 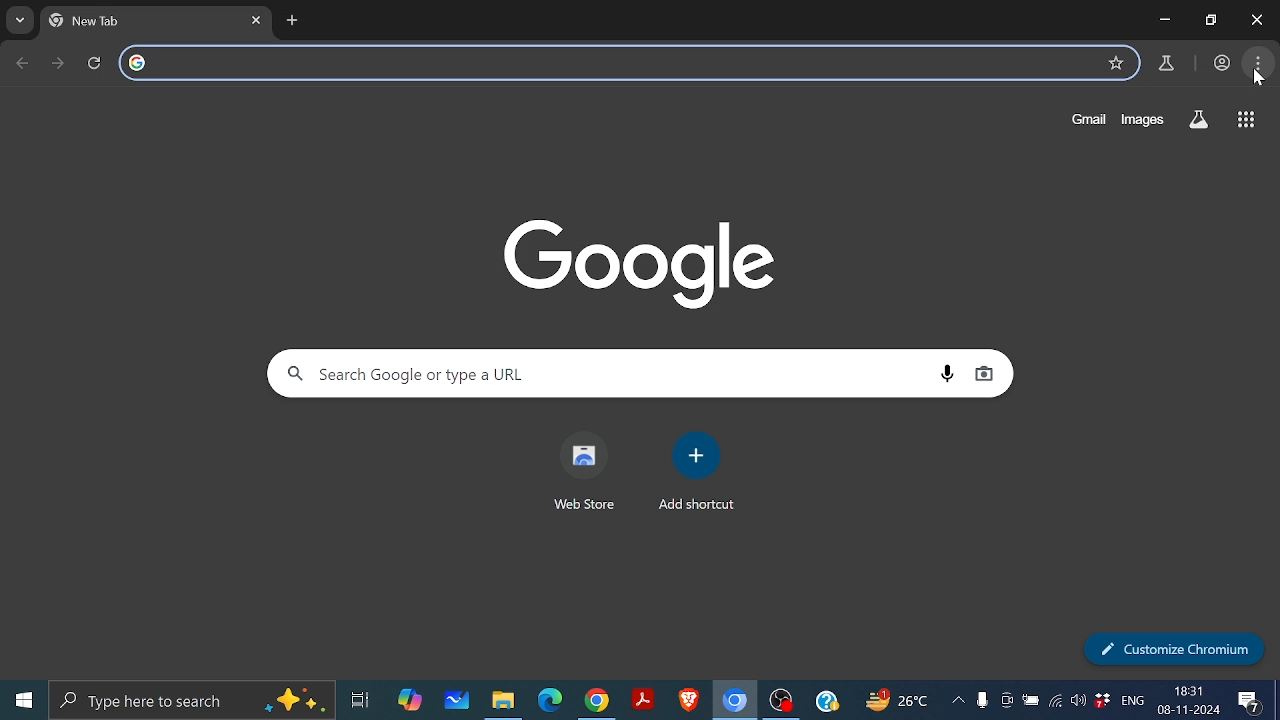 What do you see at coordinates (1174, 649) in the screenshot?
I see `Customize chromium` at bounding box center [1174, 649].